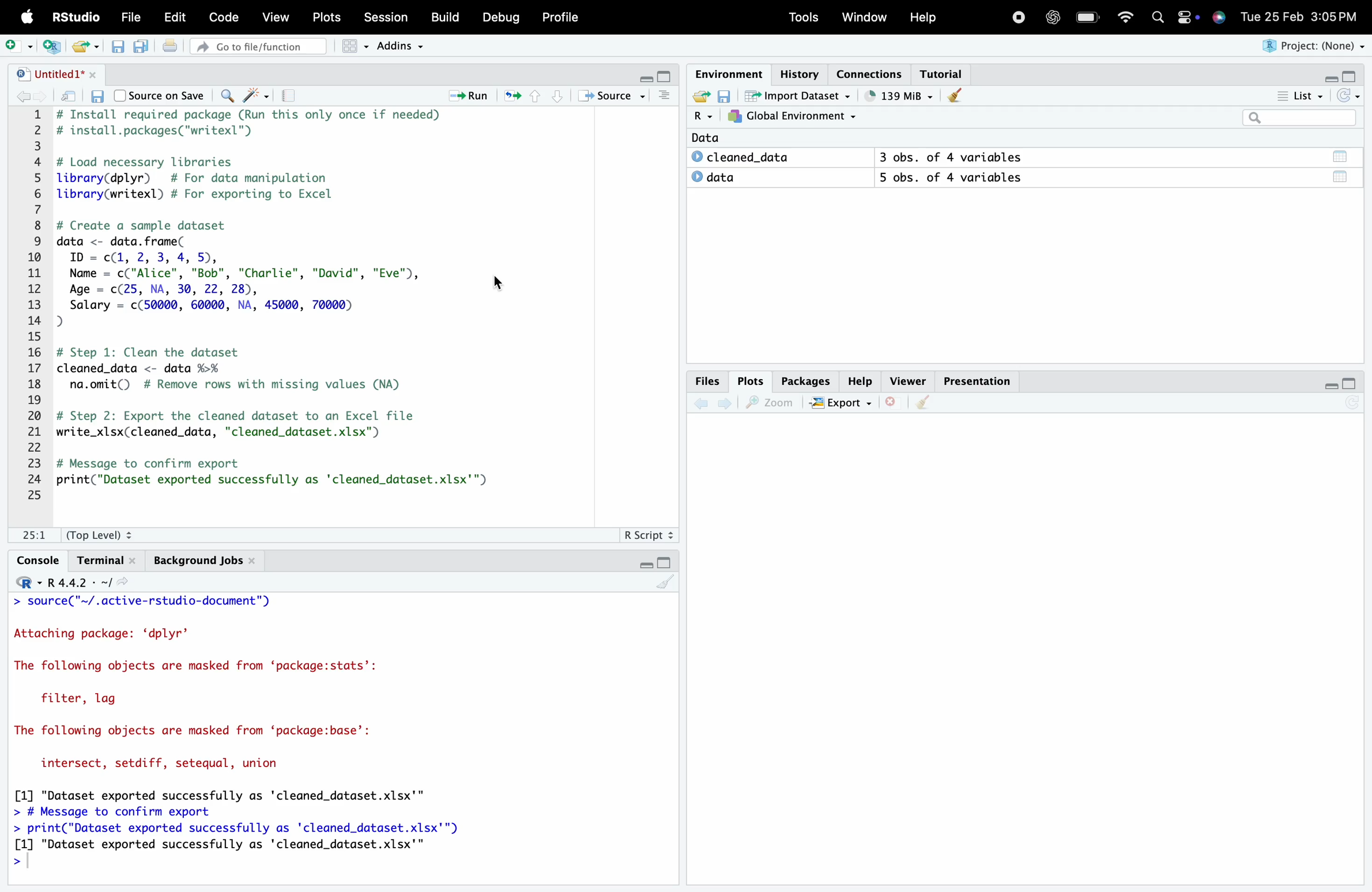 The height and width of the screenshot is (892, 1372). What do you see at coordinates (1053, 15) in the screenshot?
I see `ChatGpt` at bounding box center [1053, 15].